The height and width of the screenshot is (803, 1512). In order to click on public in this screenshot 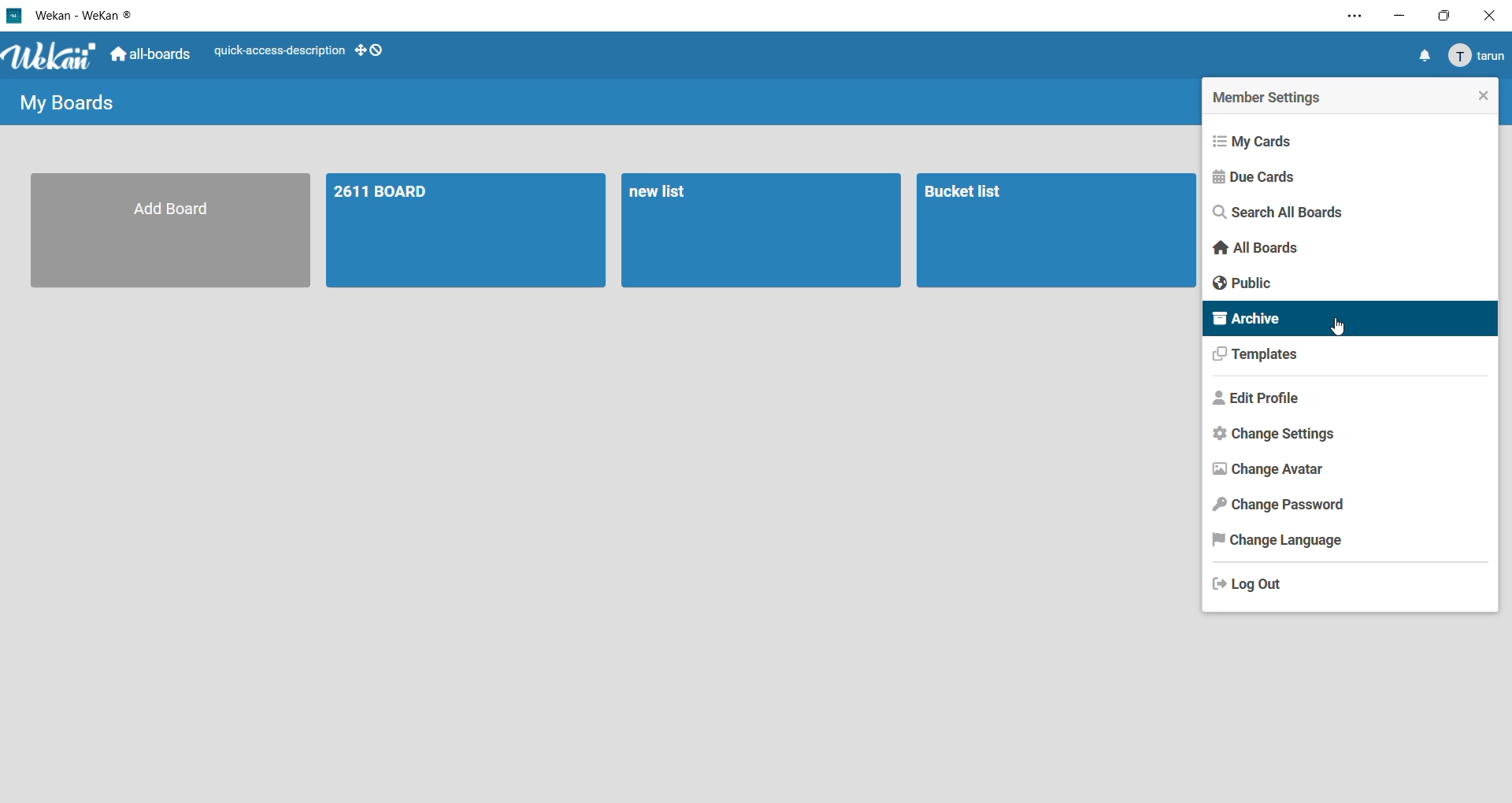, I will do `click(1247, 284)`.